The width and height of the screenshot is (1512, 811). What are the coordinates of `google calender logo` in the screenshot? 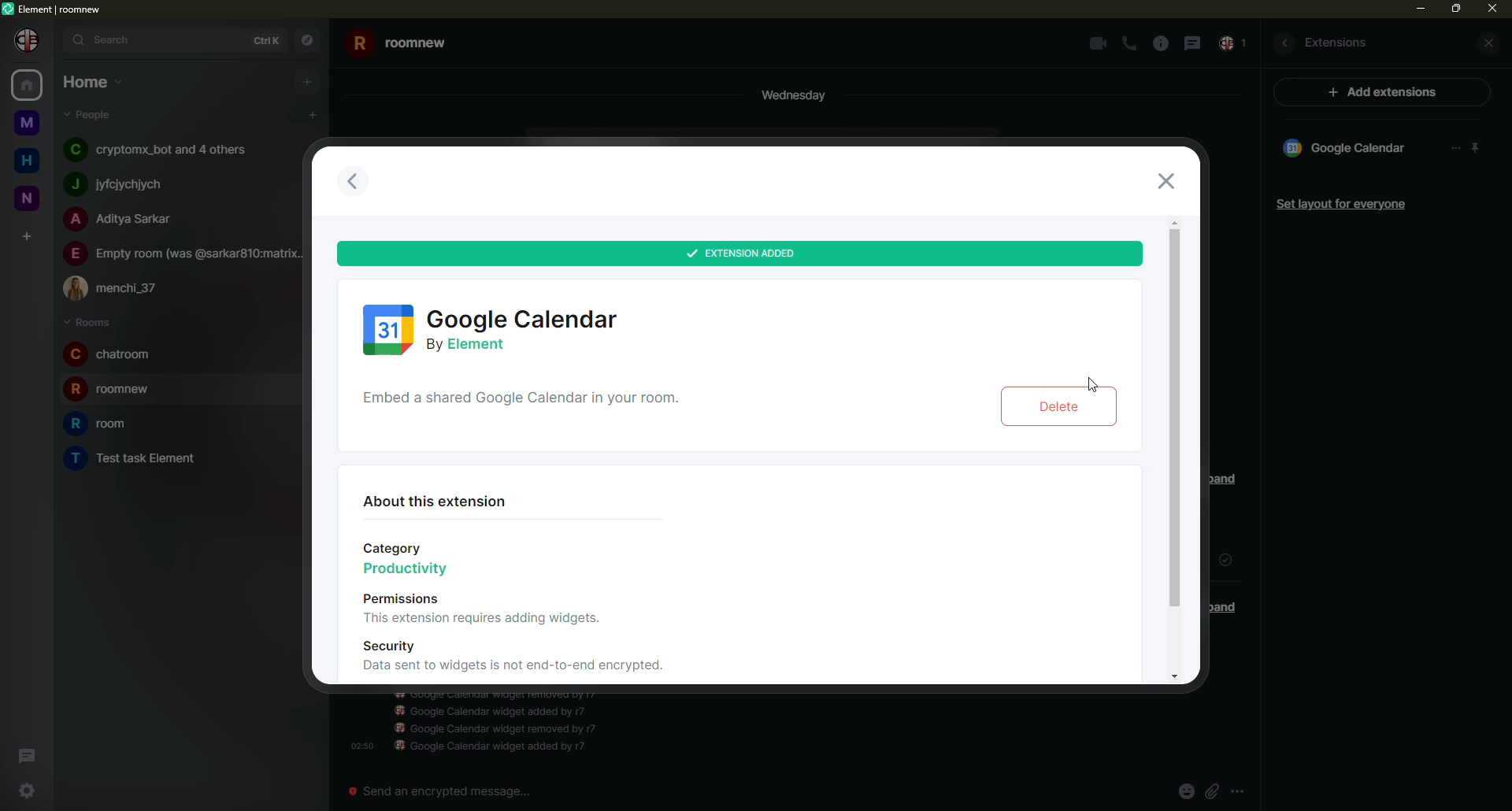 It's located at (387, 331).